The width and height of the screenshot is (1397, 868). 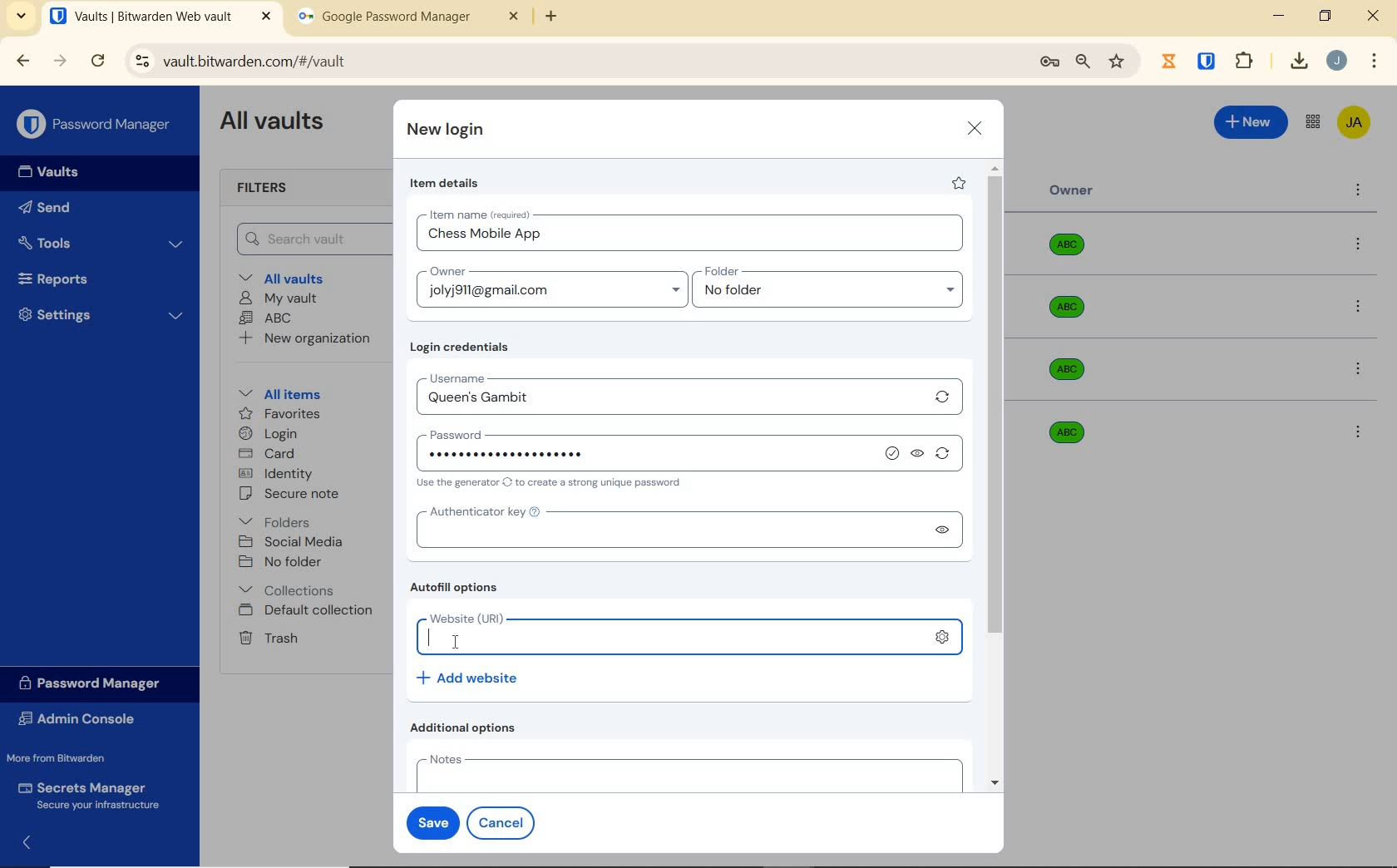 I want to click on Owner organization, so click(x=1073, y=369).